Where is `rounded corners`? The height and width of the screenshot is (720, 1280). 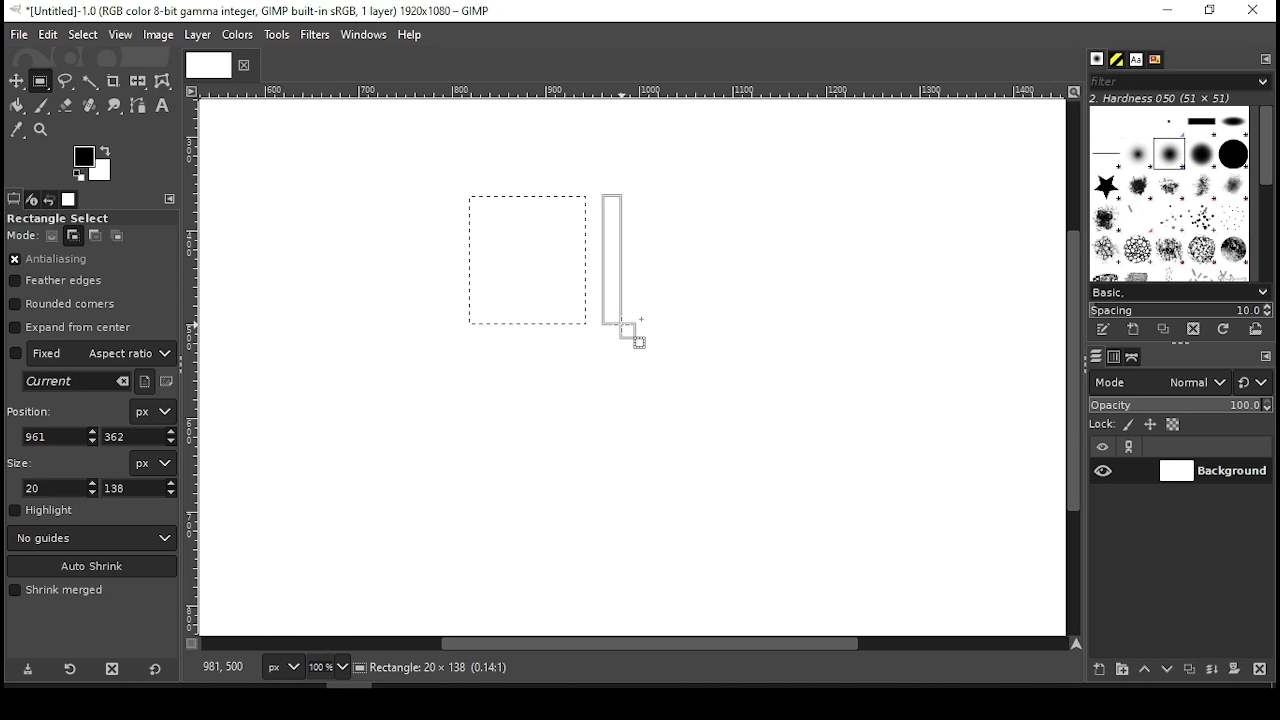
rounded corners is located at coordinates (65, 304).